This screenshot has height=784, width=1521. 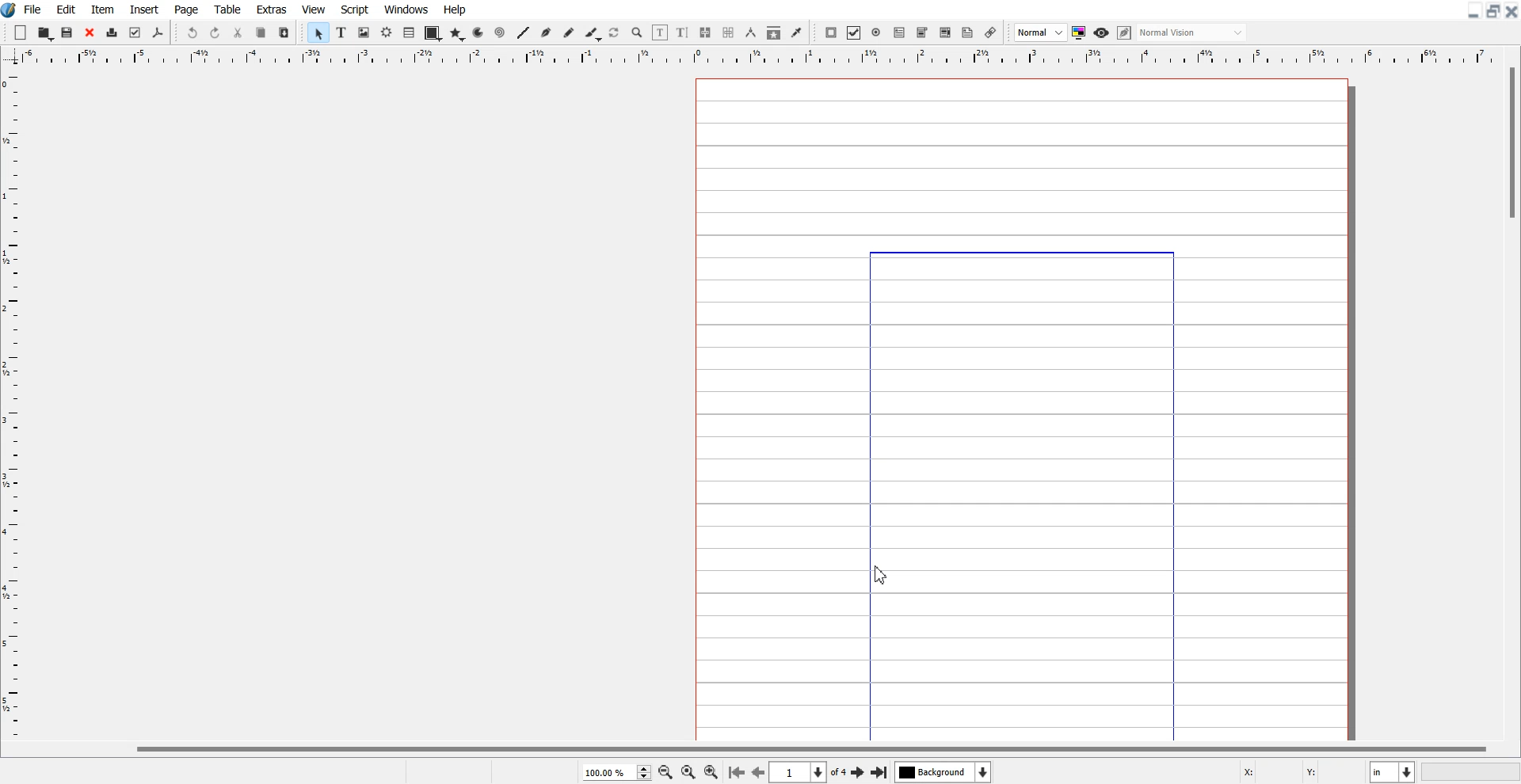 I want to click on Edit contents of frame, so click(x=660, y=32).